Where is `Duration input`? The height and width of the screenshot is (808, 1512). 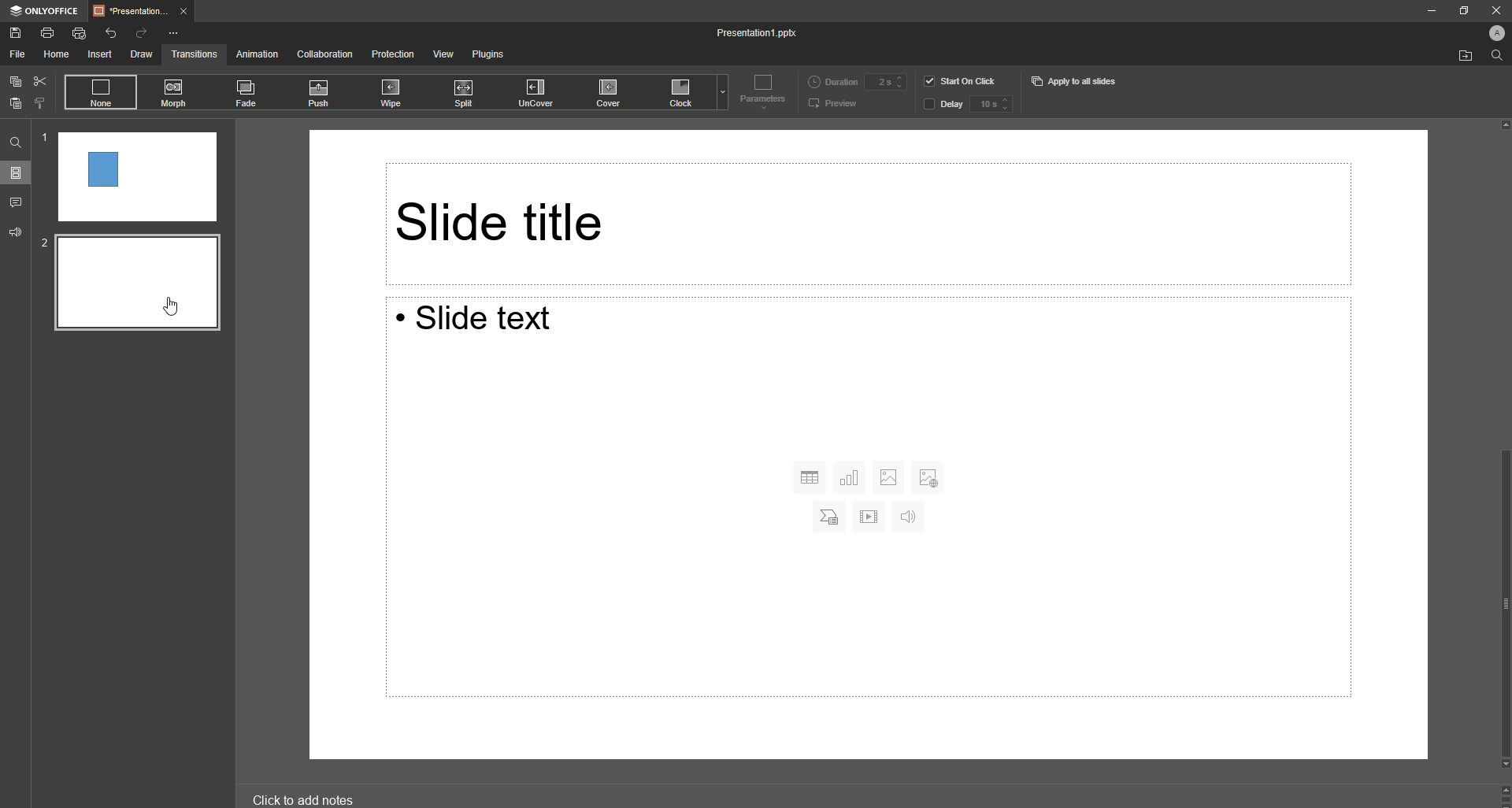
Duration input is located at coordinates (887, 81).